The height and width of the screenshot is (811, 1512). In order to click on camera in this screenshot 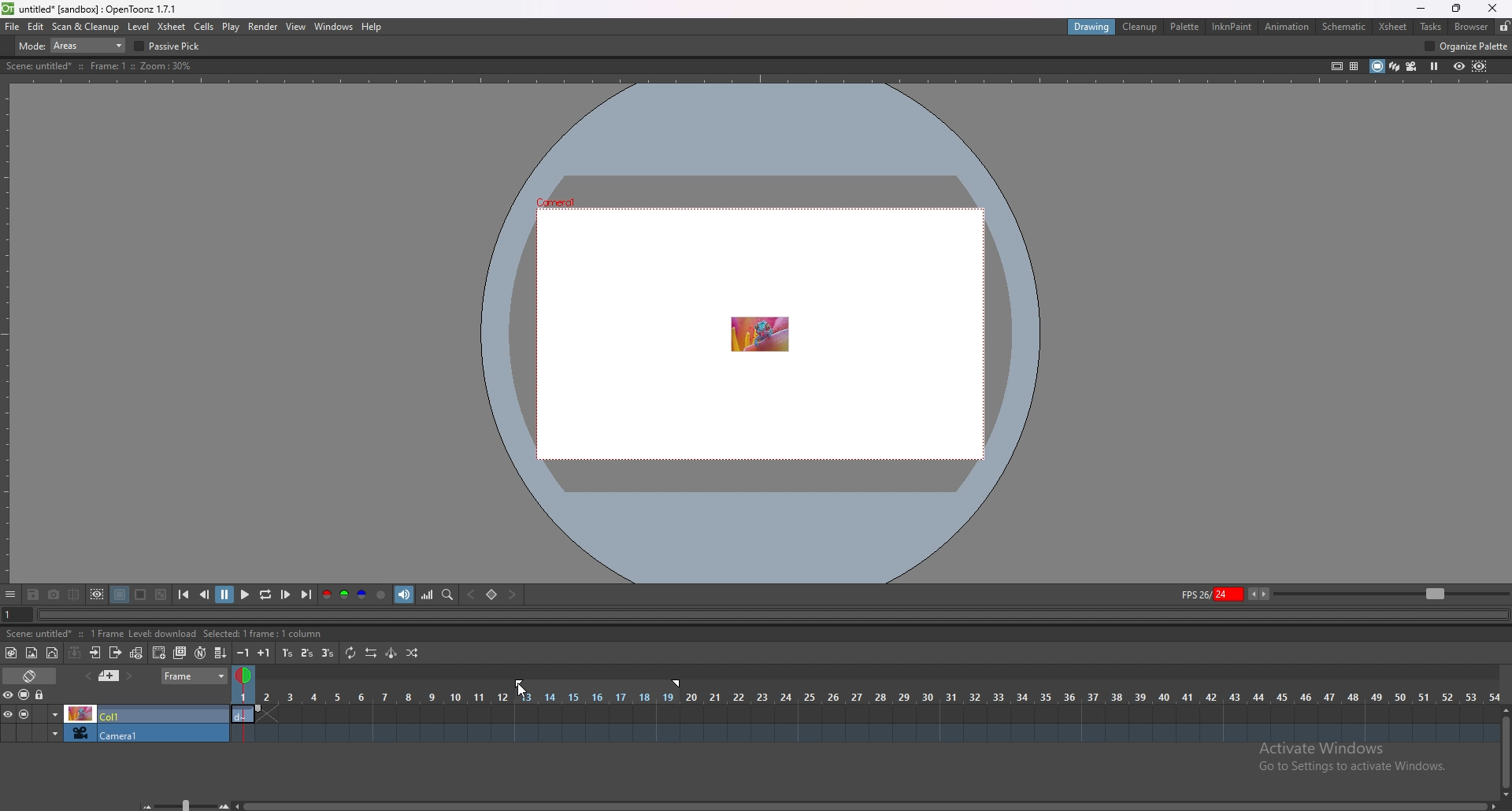, I will do `click(115, 732)`.